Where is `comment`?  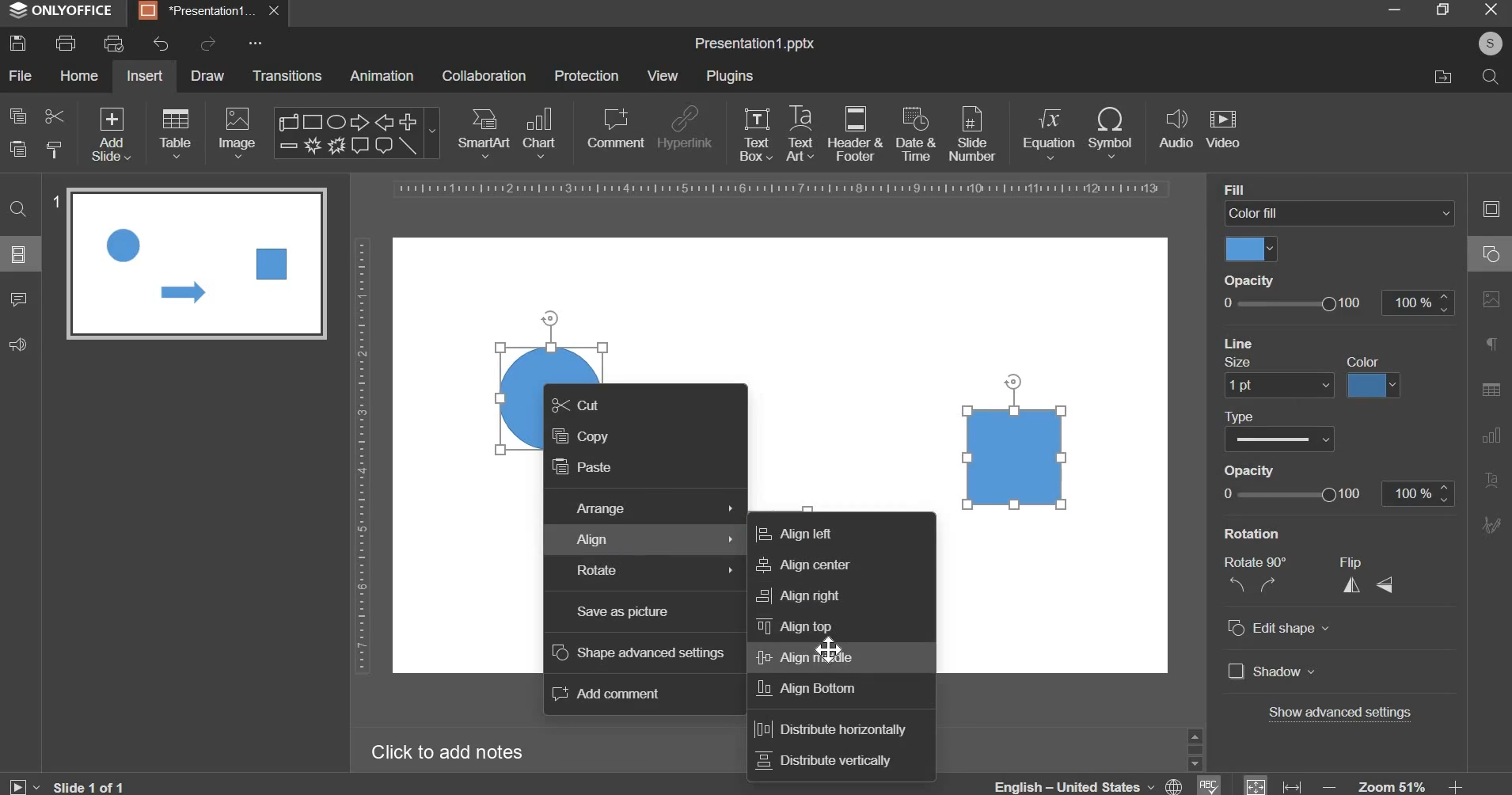 comment is located at coordinates (17, 298).